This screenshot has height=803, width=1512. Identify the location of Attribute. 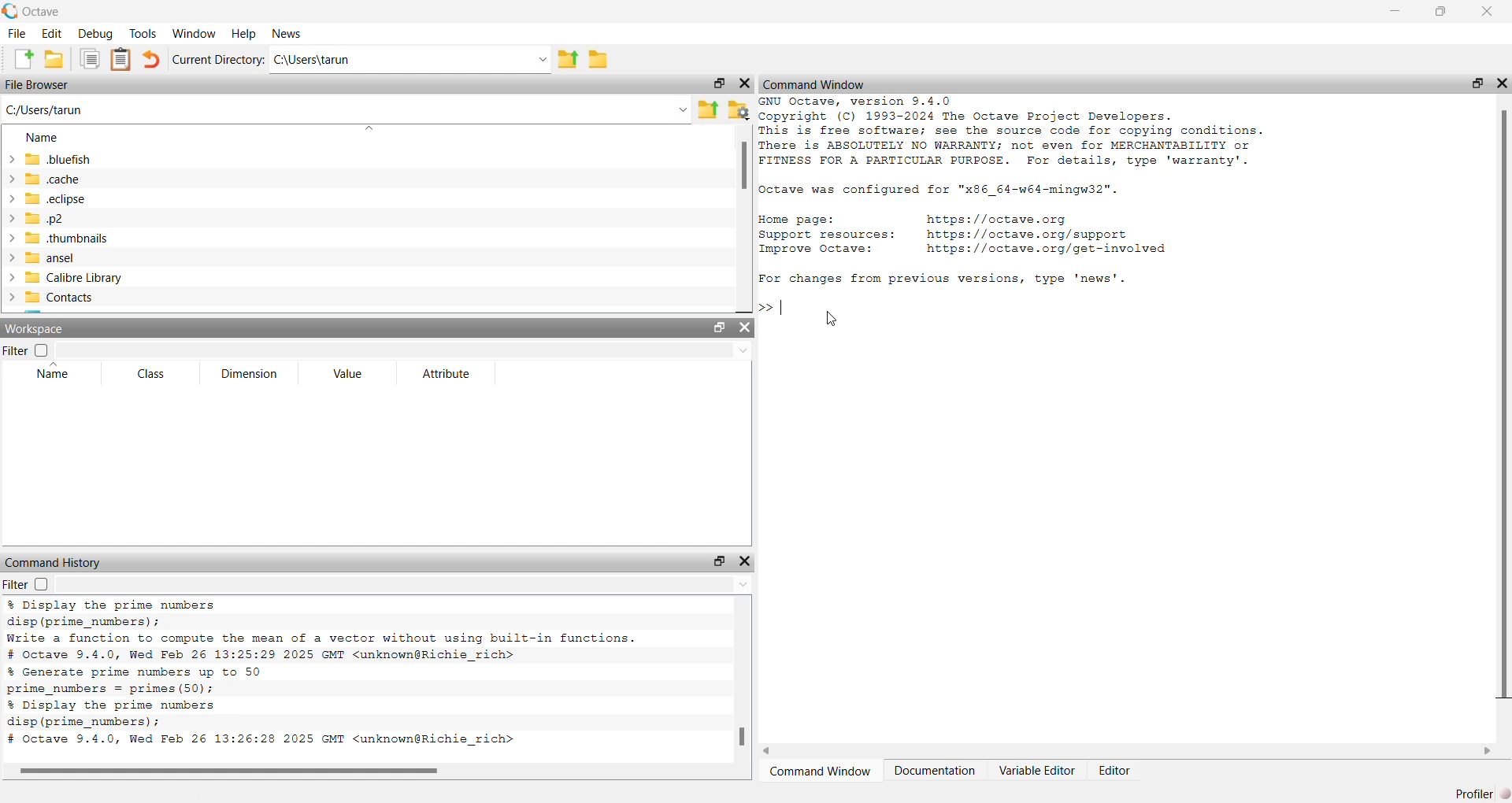
(448, 375).